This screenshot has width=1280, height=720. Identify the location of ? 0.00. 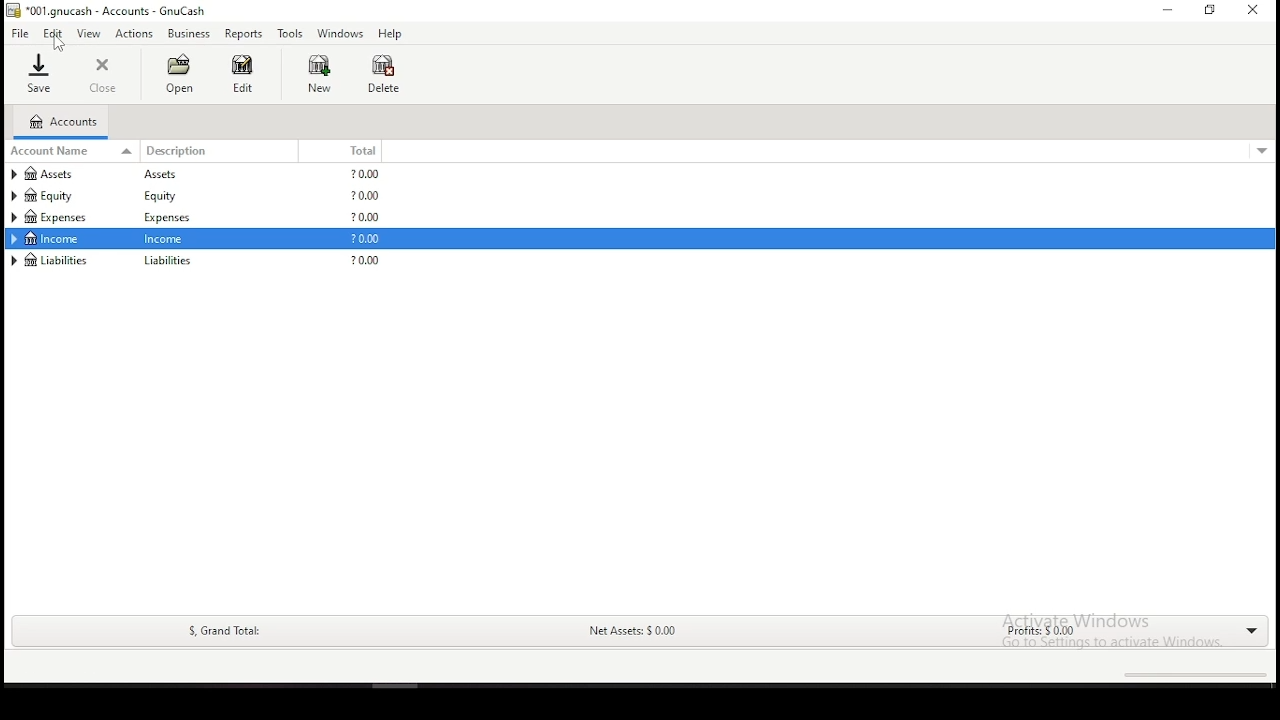
(368, 217).